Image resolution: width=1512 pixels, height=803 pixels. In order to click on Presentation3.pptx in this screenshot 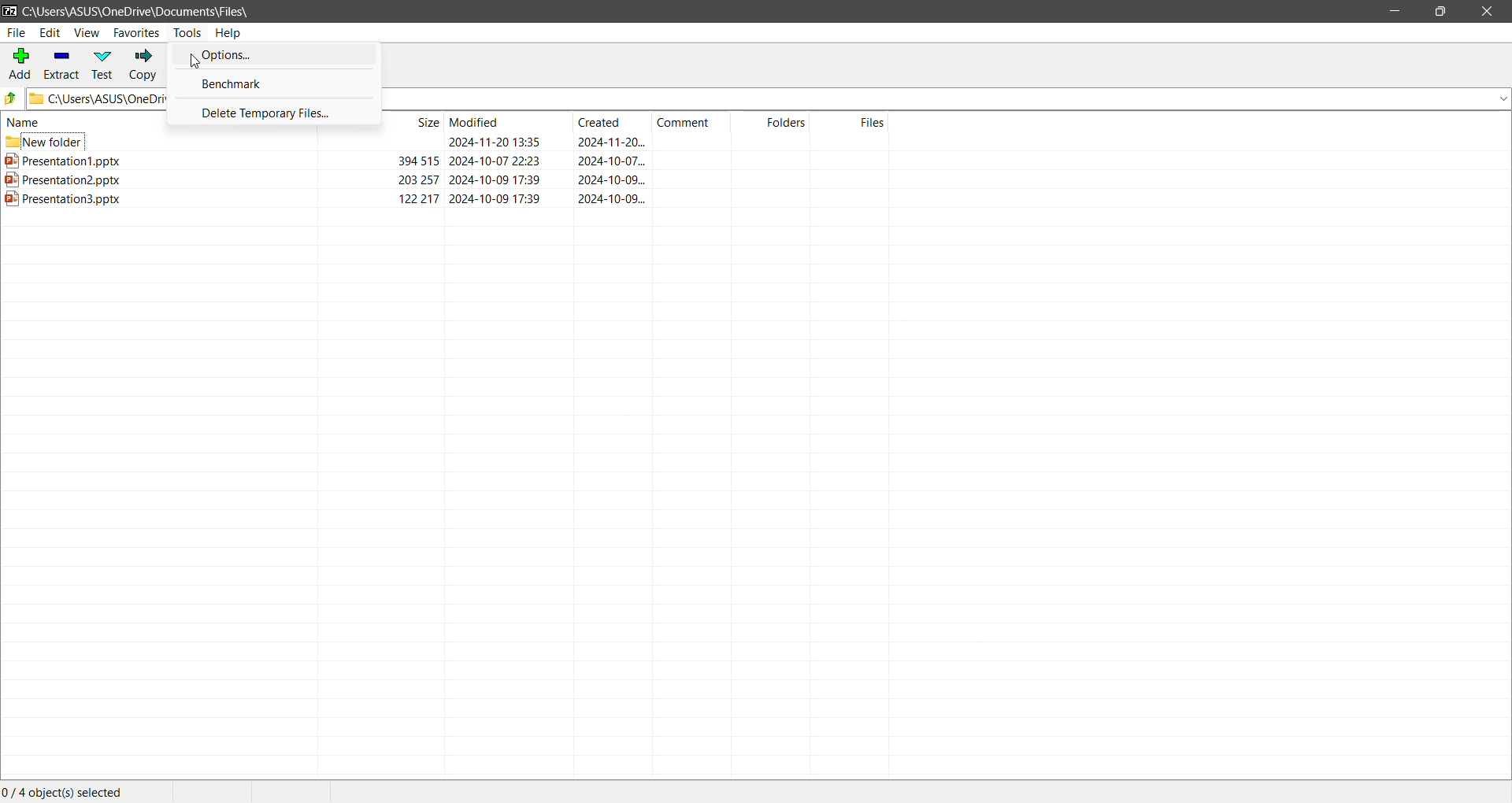, I will do `click(455, 202)`.